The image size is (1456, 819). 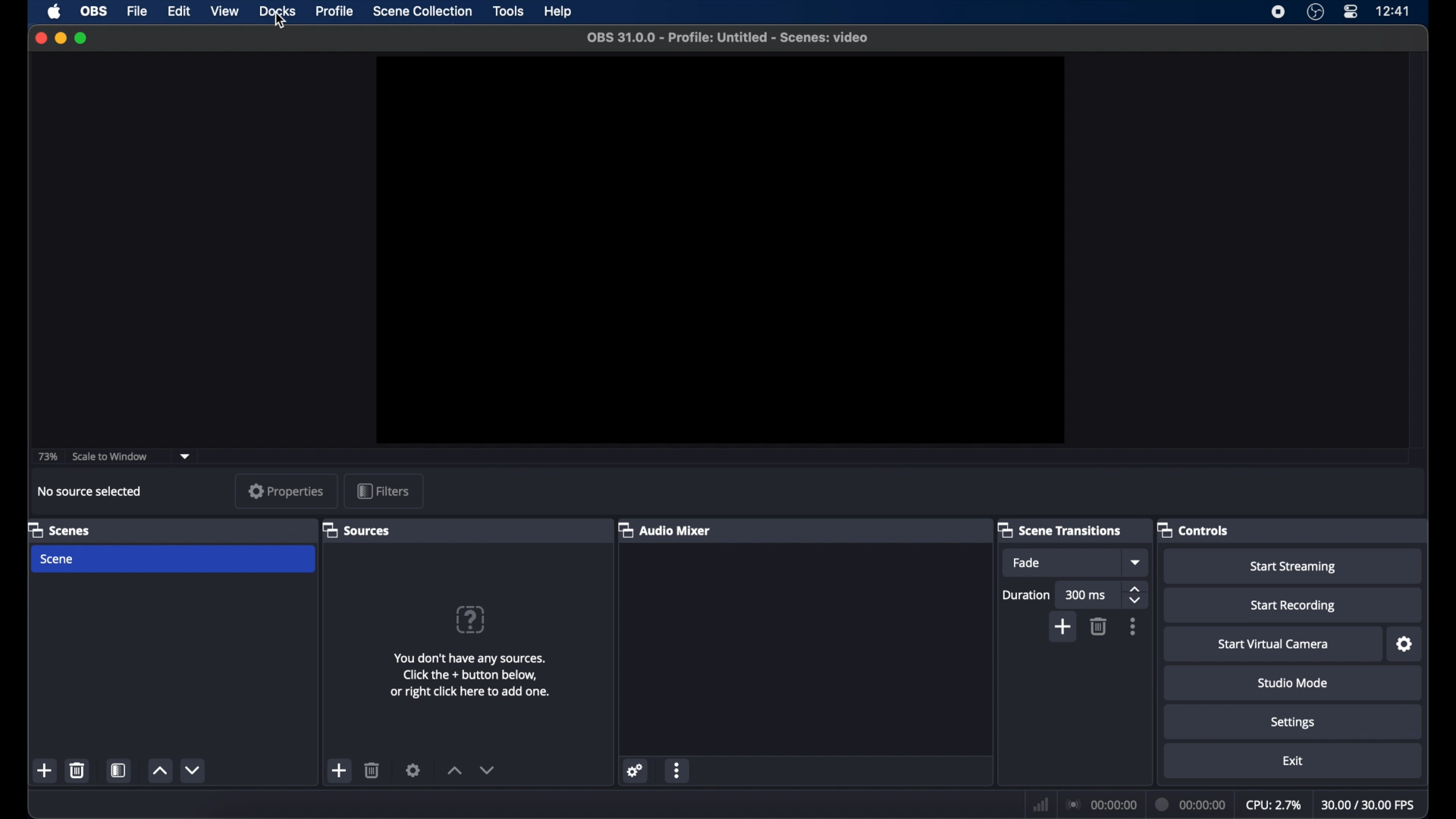 I want to click on delete, so click(x=1100, y=626).